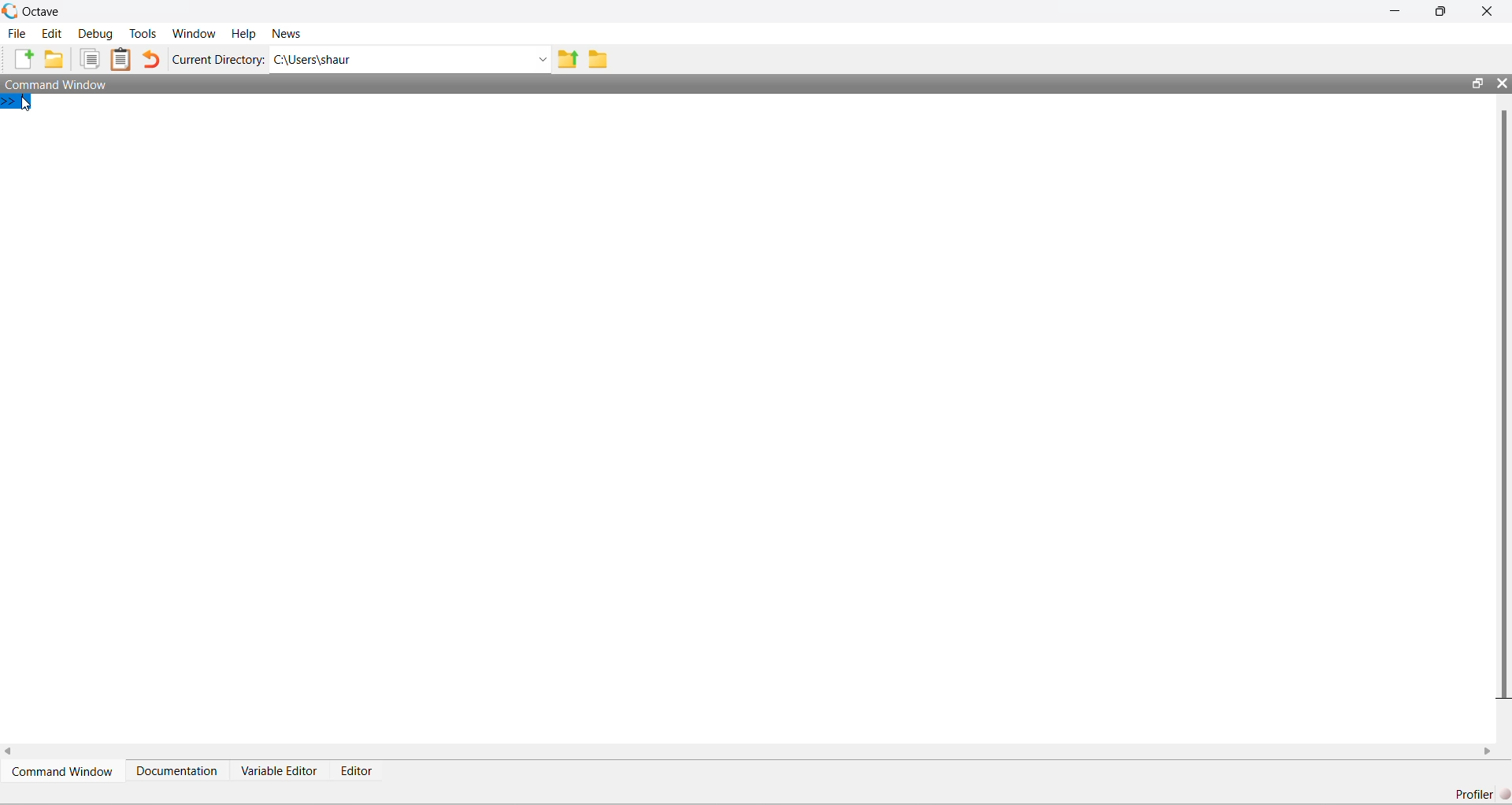  What do you see at coordinates (51, 33) in the screenshot?
I see `Edit` at bounding box center [51, 33].